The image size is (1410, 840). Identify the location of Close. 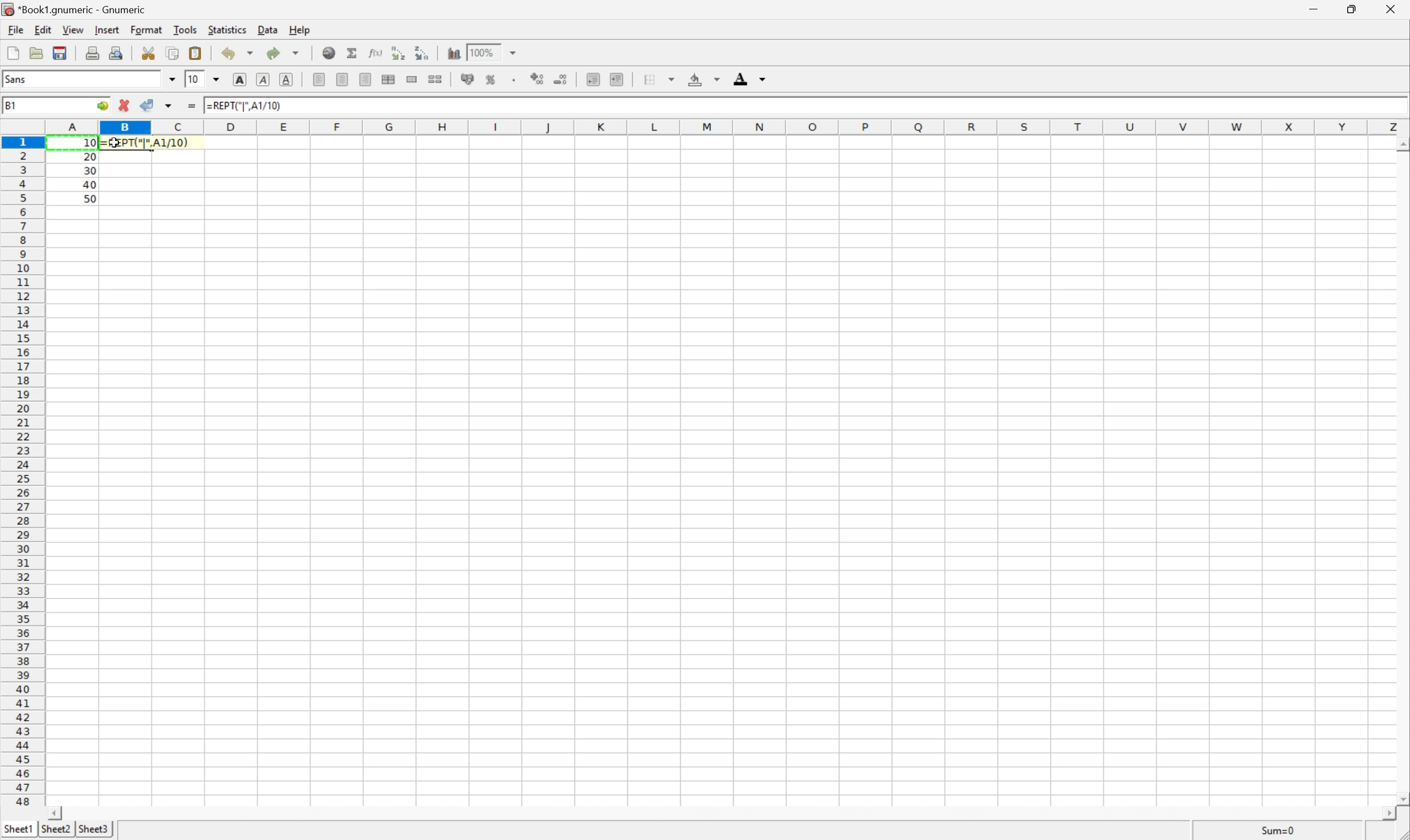
(1394, 7).